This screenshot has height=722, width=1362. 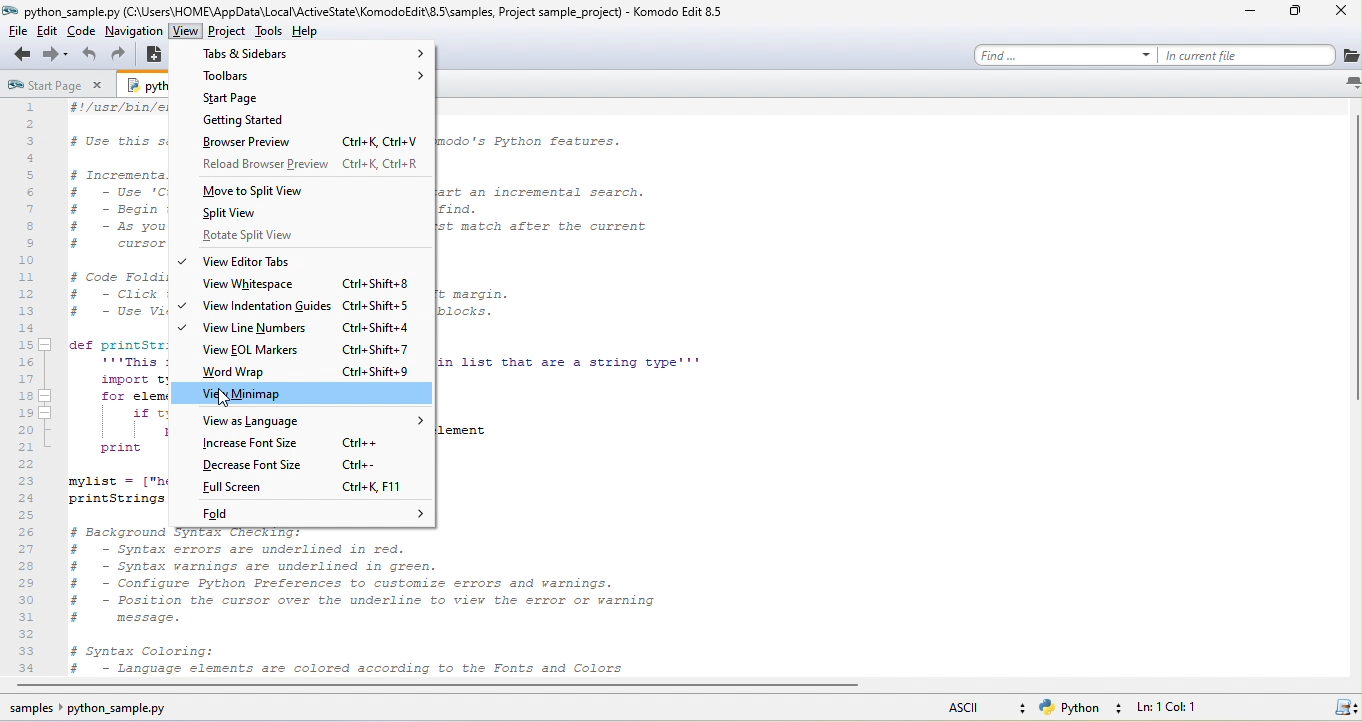 What do you see at coordinates (227, 399) in the screenshot?
I see `cursor movement` at bounding box center [227, 399].